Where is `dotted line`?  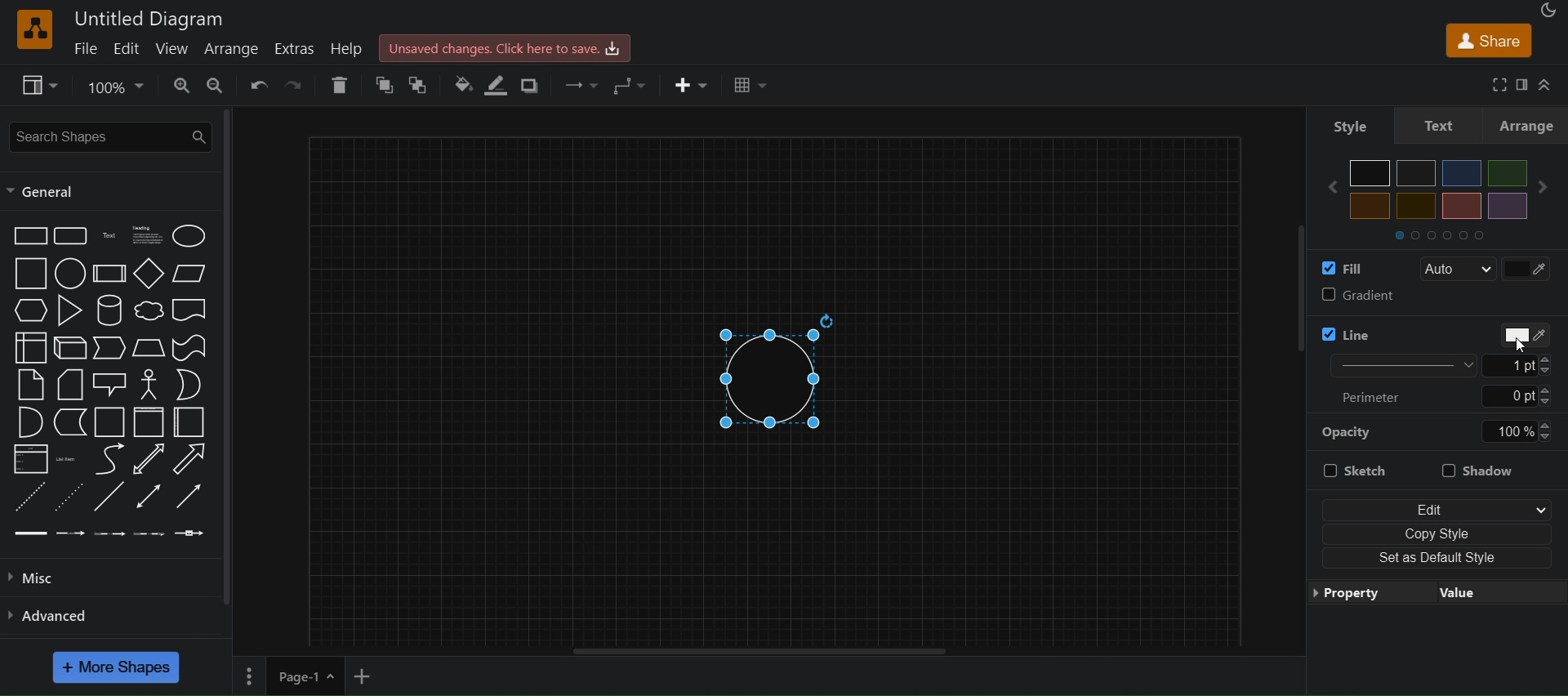 dotted line is located at coordinates (69, 496).